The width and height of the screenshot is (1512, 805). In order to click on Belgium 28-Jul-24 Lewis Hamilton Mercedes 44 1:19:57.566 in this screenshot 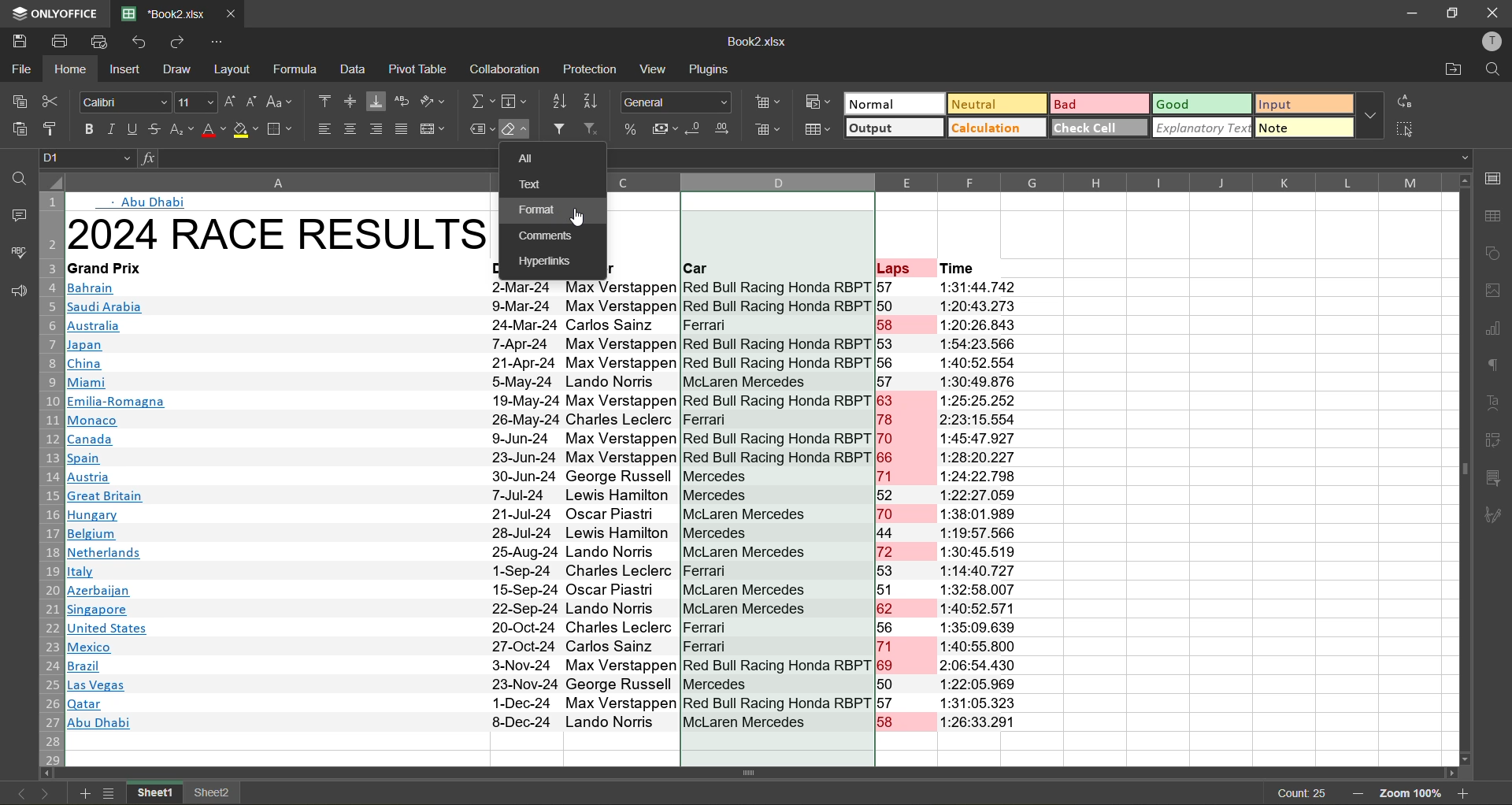, I will do `click(549, 535)`.